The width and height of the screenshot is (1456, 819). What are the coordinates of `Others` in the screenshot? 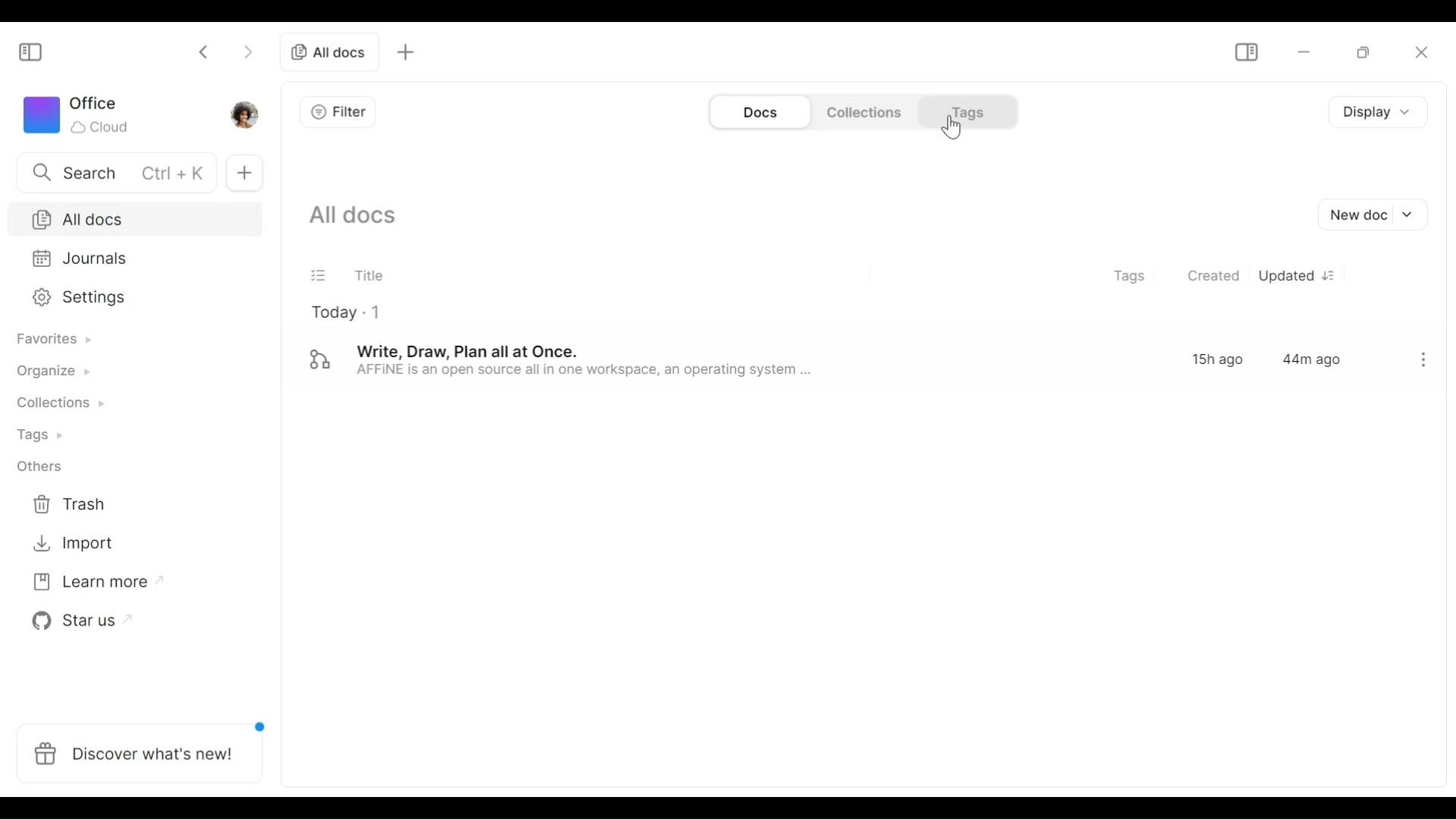 It's located at (45, 465).